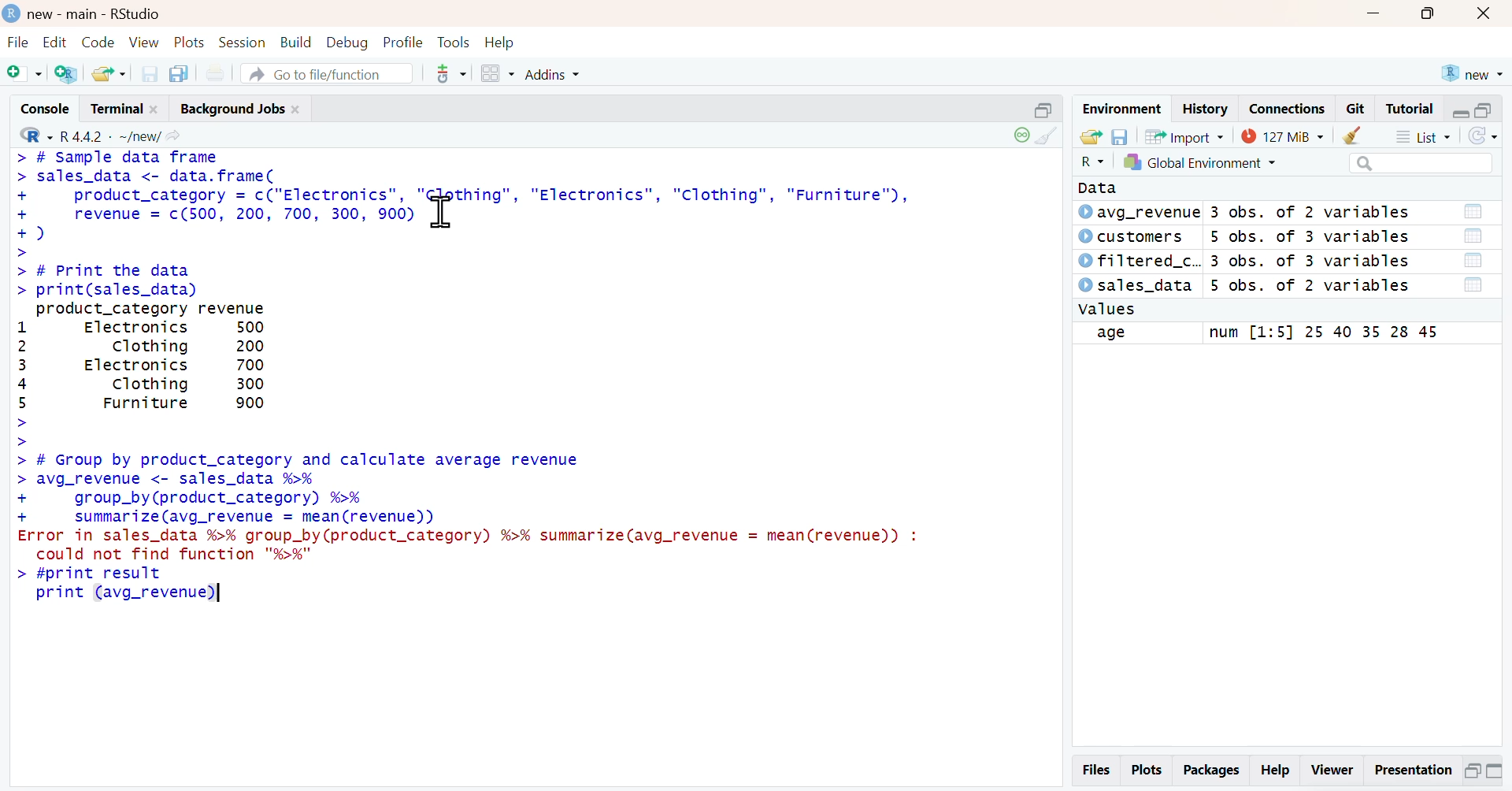 This screenshot has width=1512, height=791. What do you see at coordinates (403, 42) in the screenshot?
I see `Profile` at bounding box center [403, 42].